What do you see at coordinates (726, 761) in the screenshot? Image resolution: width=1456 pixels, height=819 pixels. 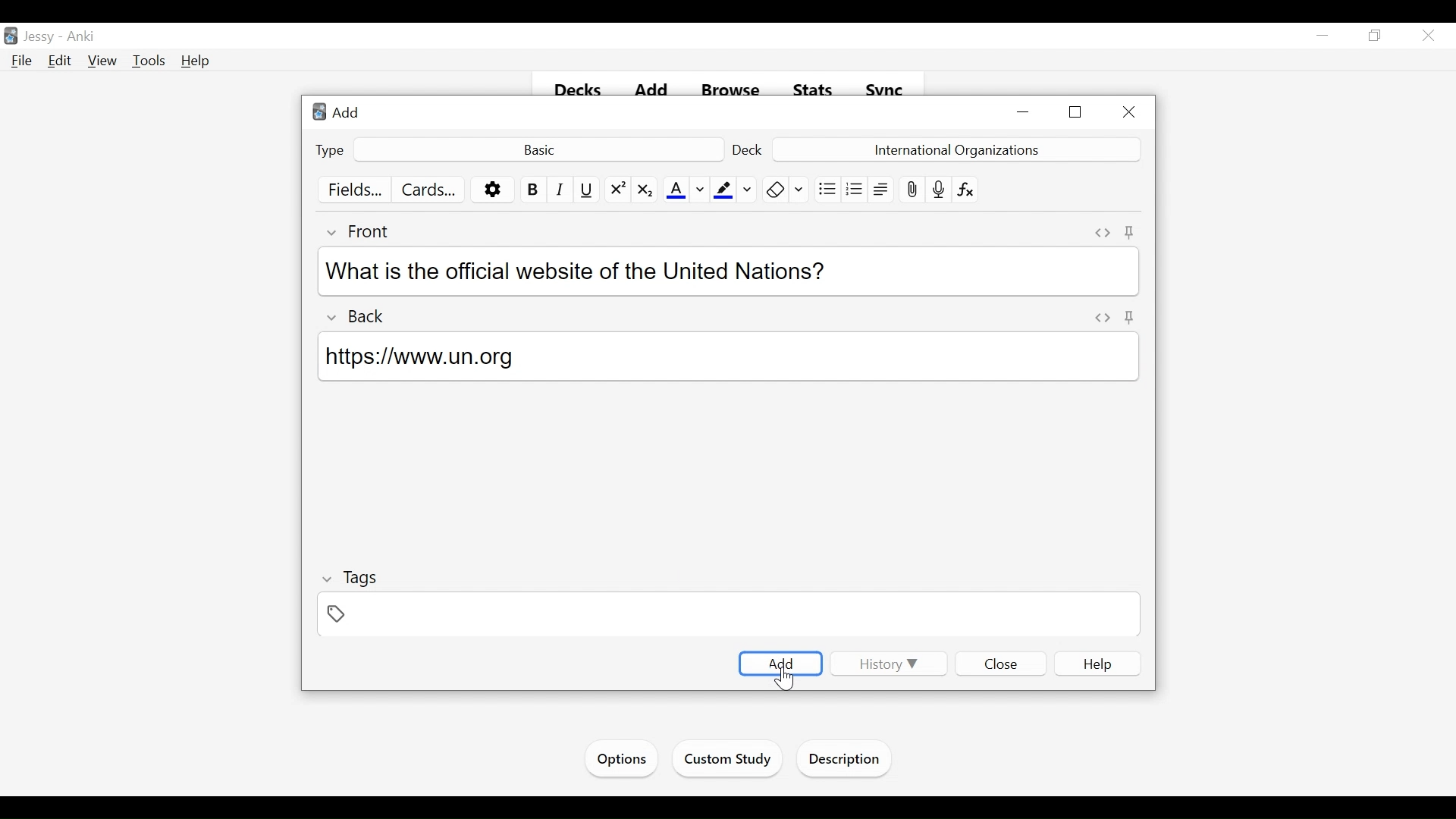 I see `Custom Study` at bounding box center [726, 761].